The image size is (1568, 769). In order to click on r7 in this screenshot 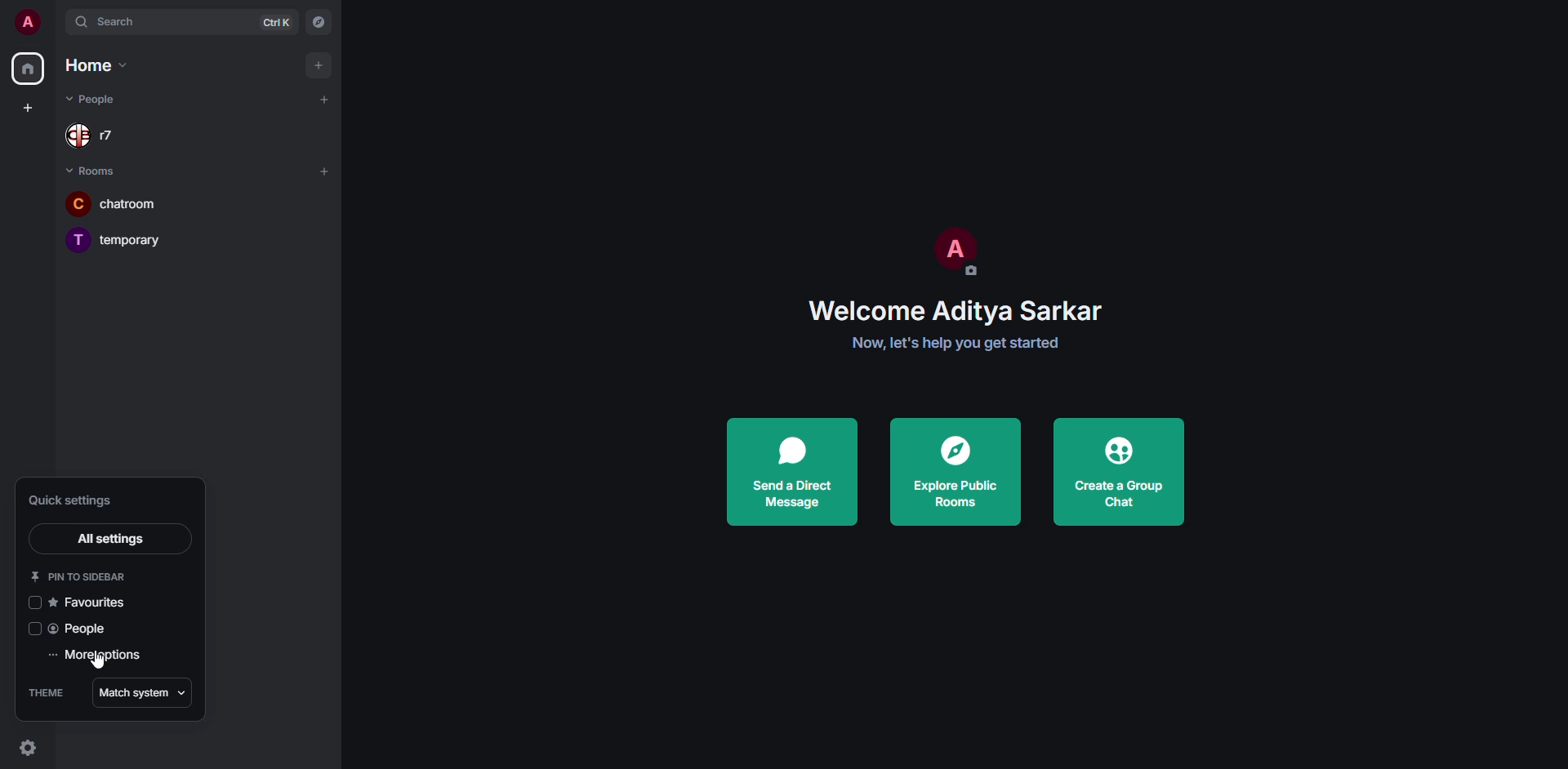, I will do `click(99, 137)`.